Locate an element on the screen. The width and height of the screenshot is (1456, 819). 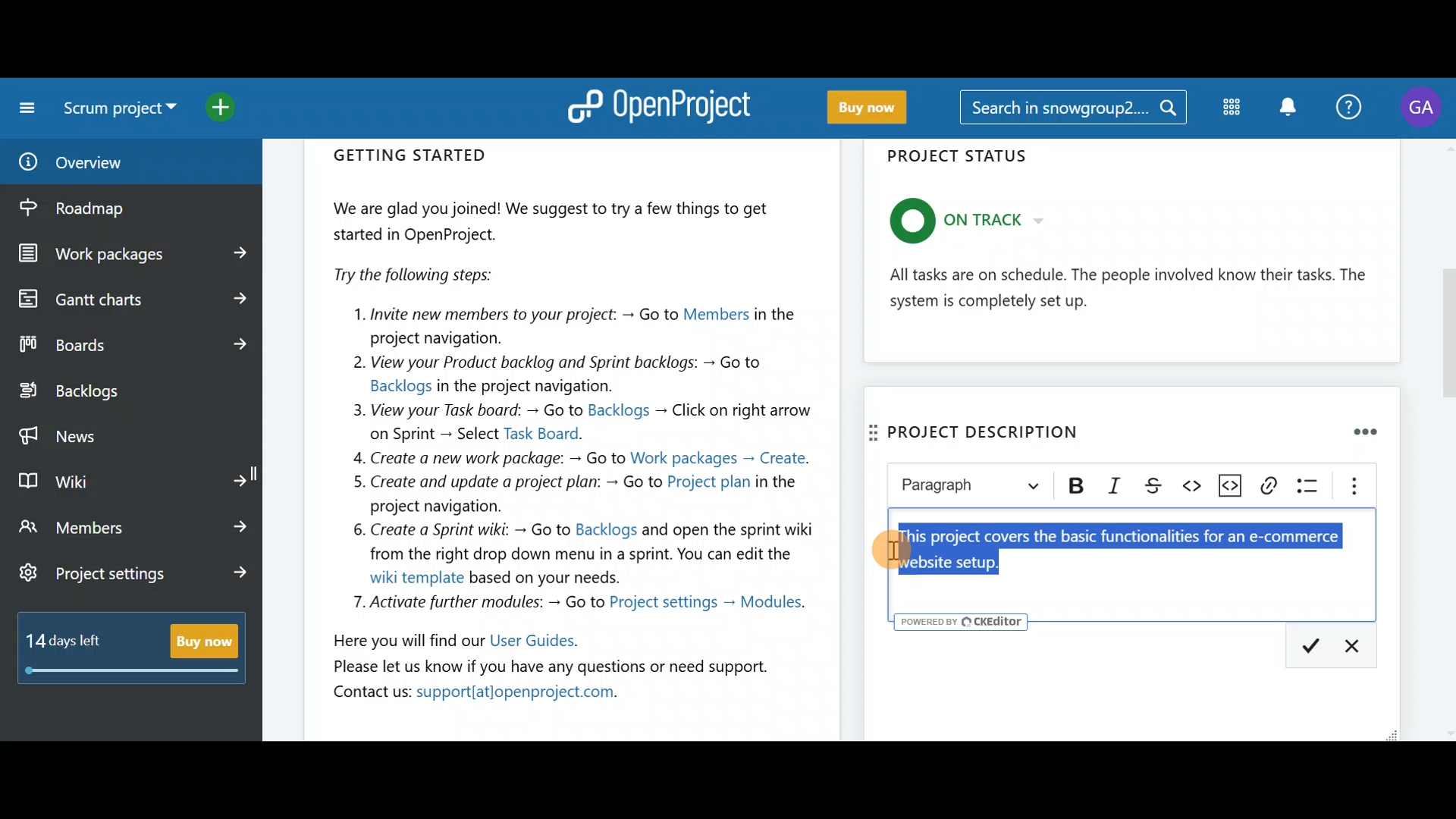
OpenProject is located at coordinates (664, 105).